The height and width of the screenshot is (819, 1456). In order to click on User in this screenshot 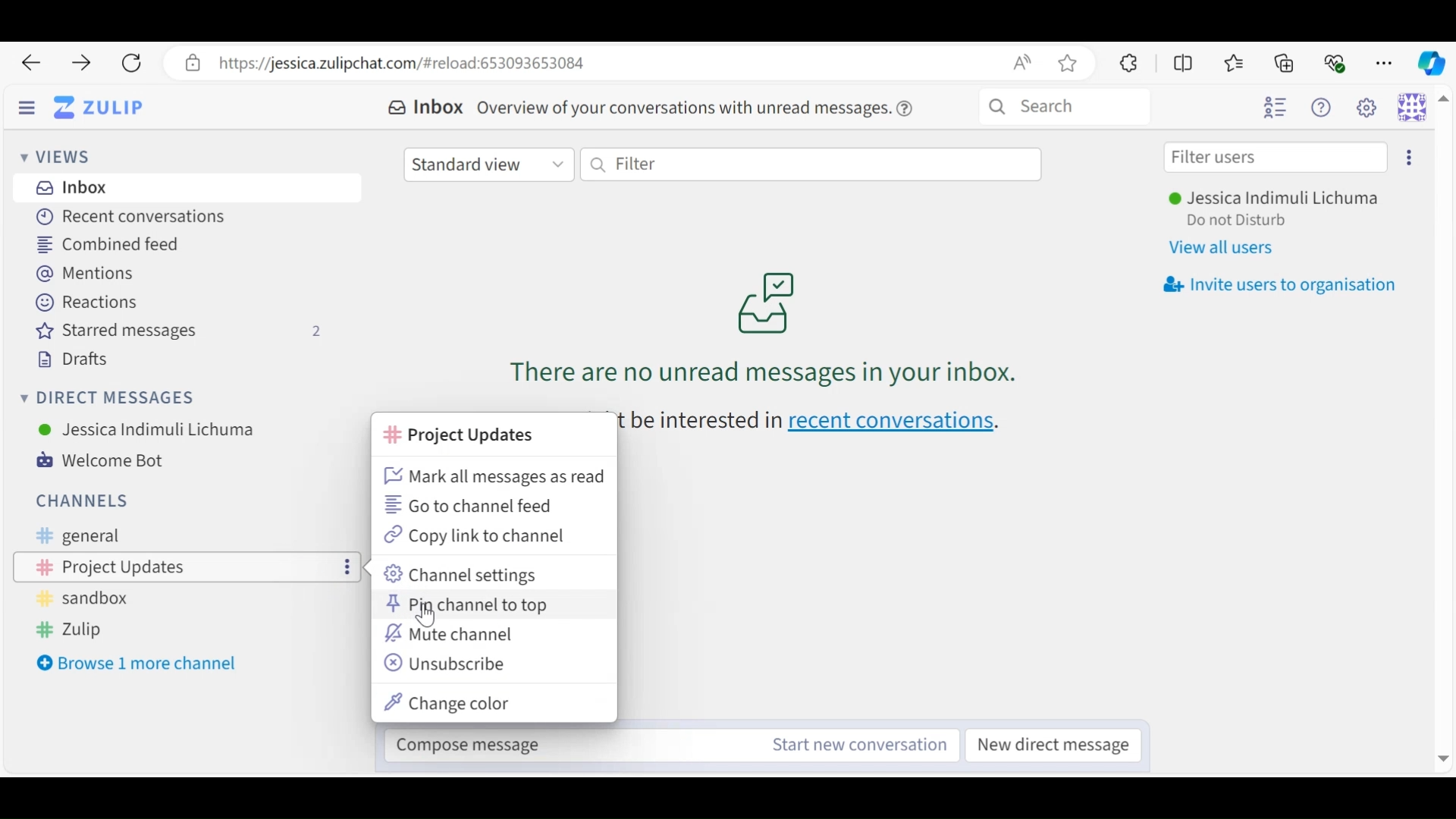, I will do `click(1279, 199)`.